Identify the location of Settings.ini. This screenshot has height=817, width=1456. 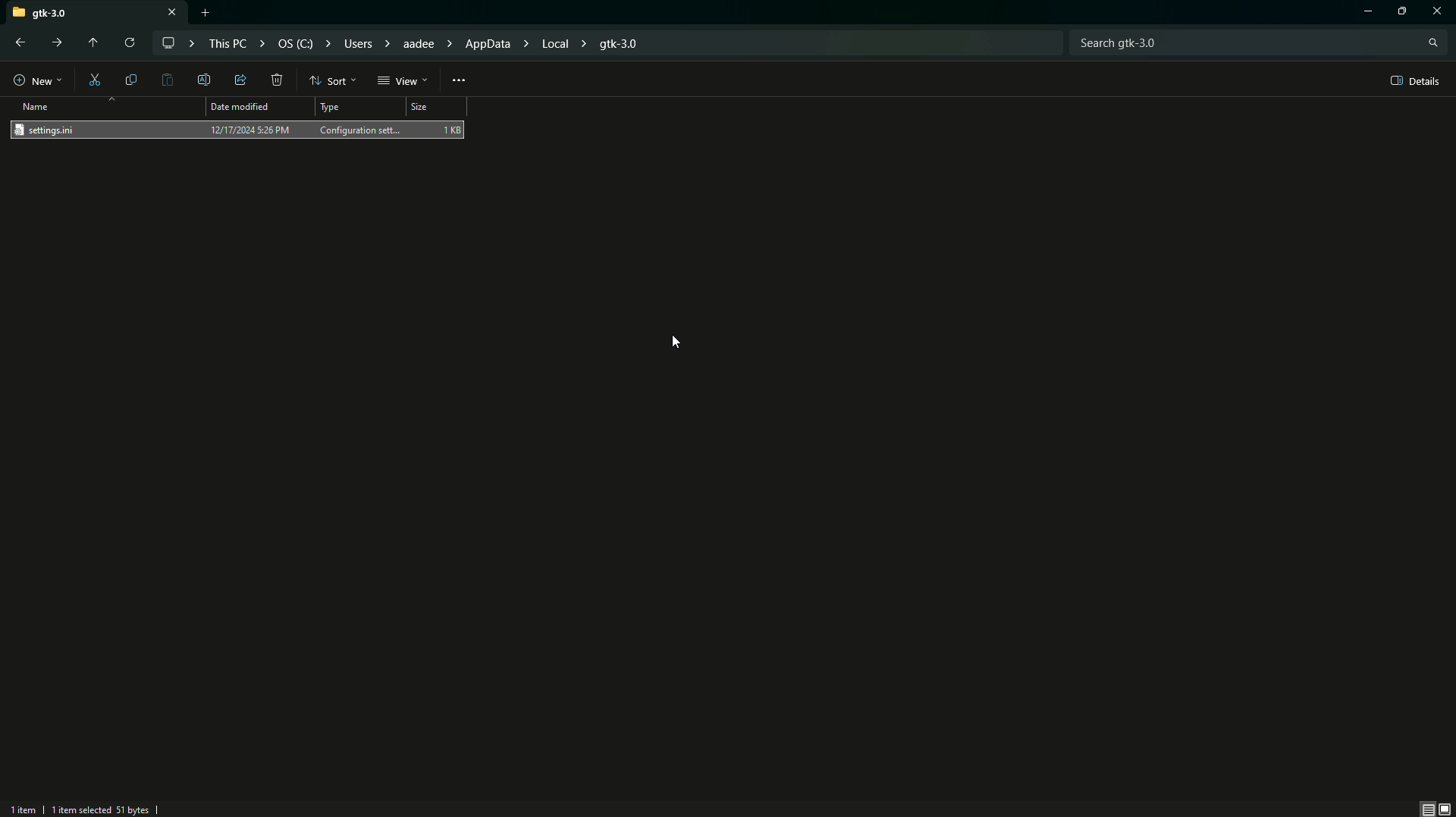
(53, 130).